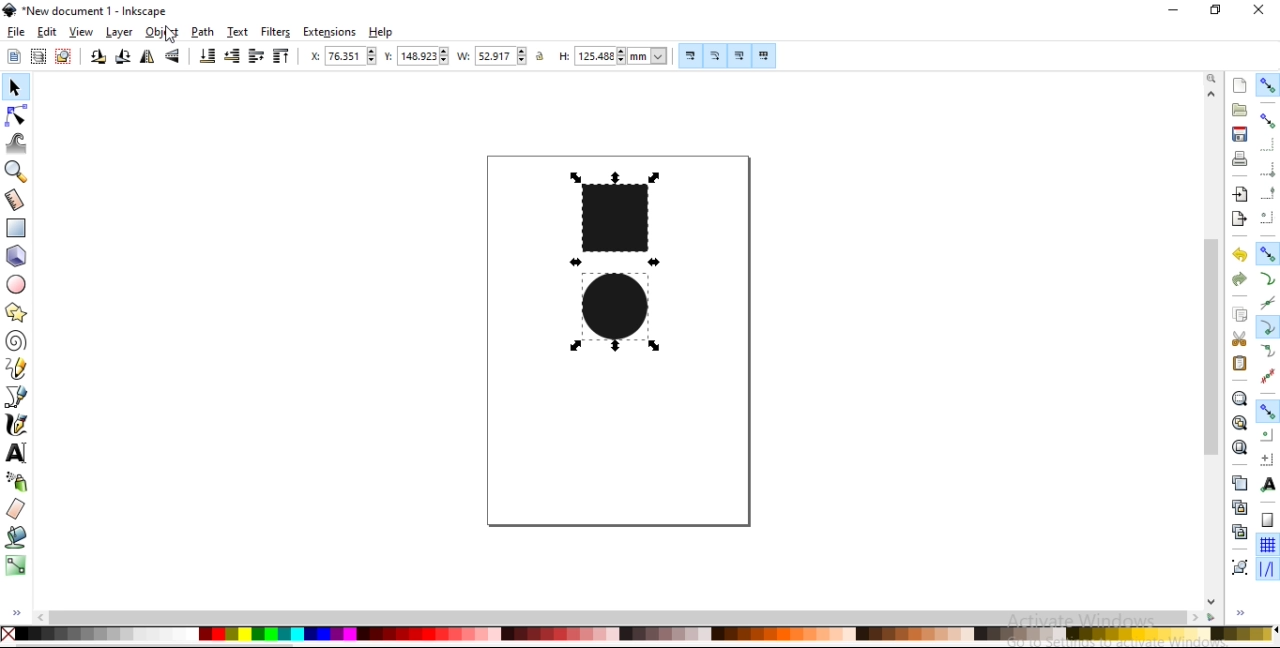  What do you see at coordinates (738, 56) in the screenshot?
I see `move gradients along with objects` at bounding box center [738, 56].